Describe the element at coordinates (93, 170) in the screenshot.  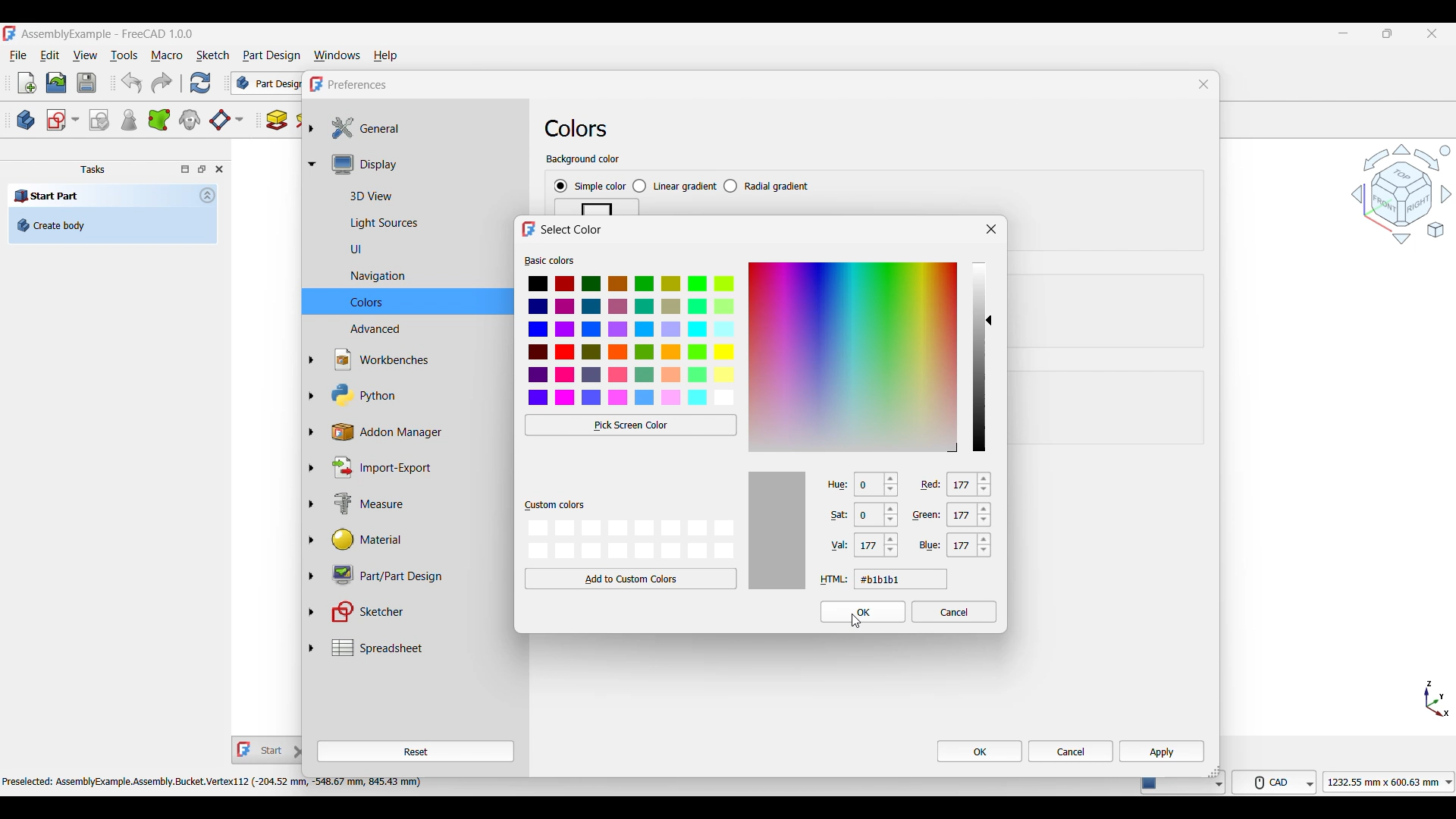
I see `Tasks` at that location.